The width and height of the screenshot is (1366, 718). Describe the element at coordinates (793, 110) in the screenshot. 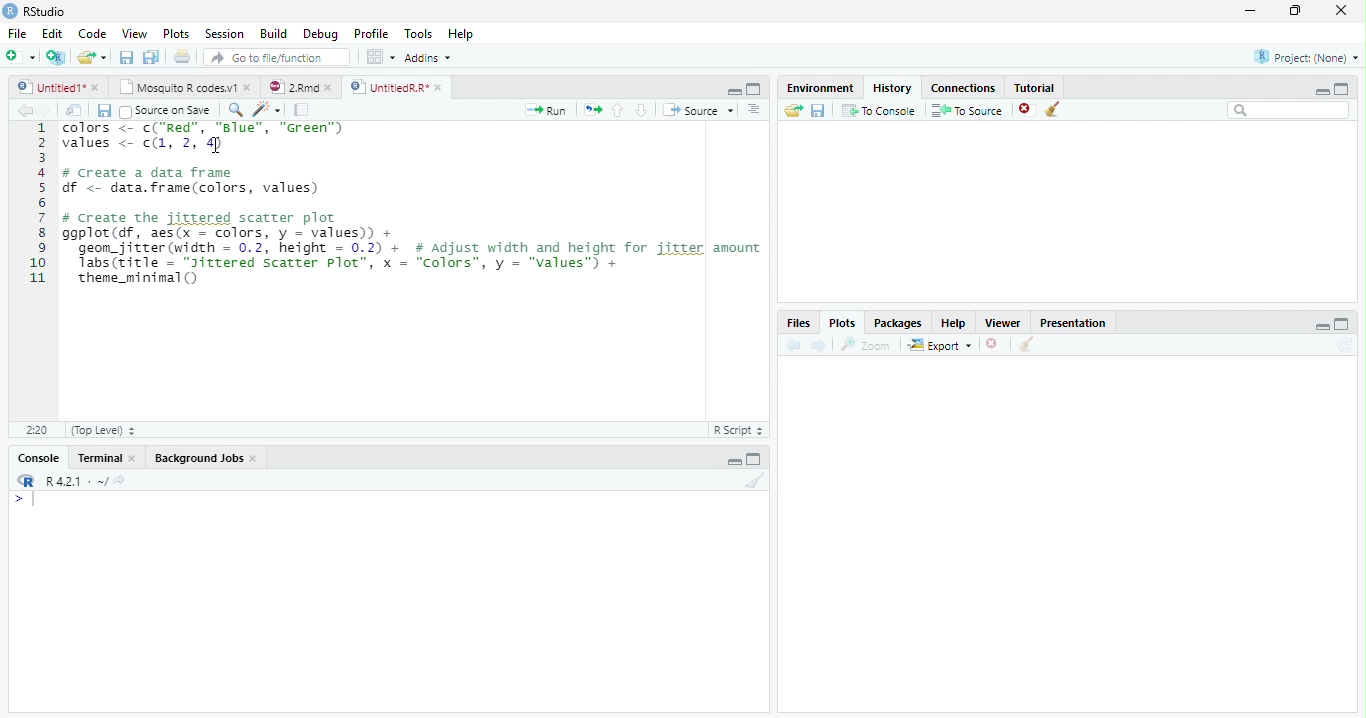

I see `Load history from an existing file` at that location.